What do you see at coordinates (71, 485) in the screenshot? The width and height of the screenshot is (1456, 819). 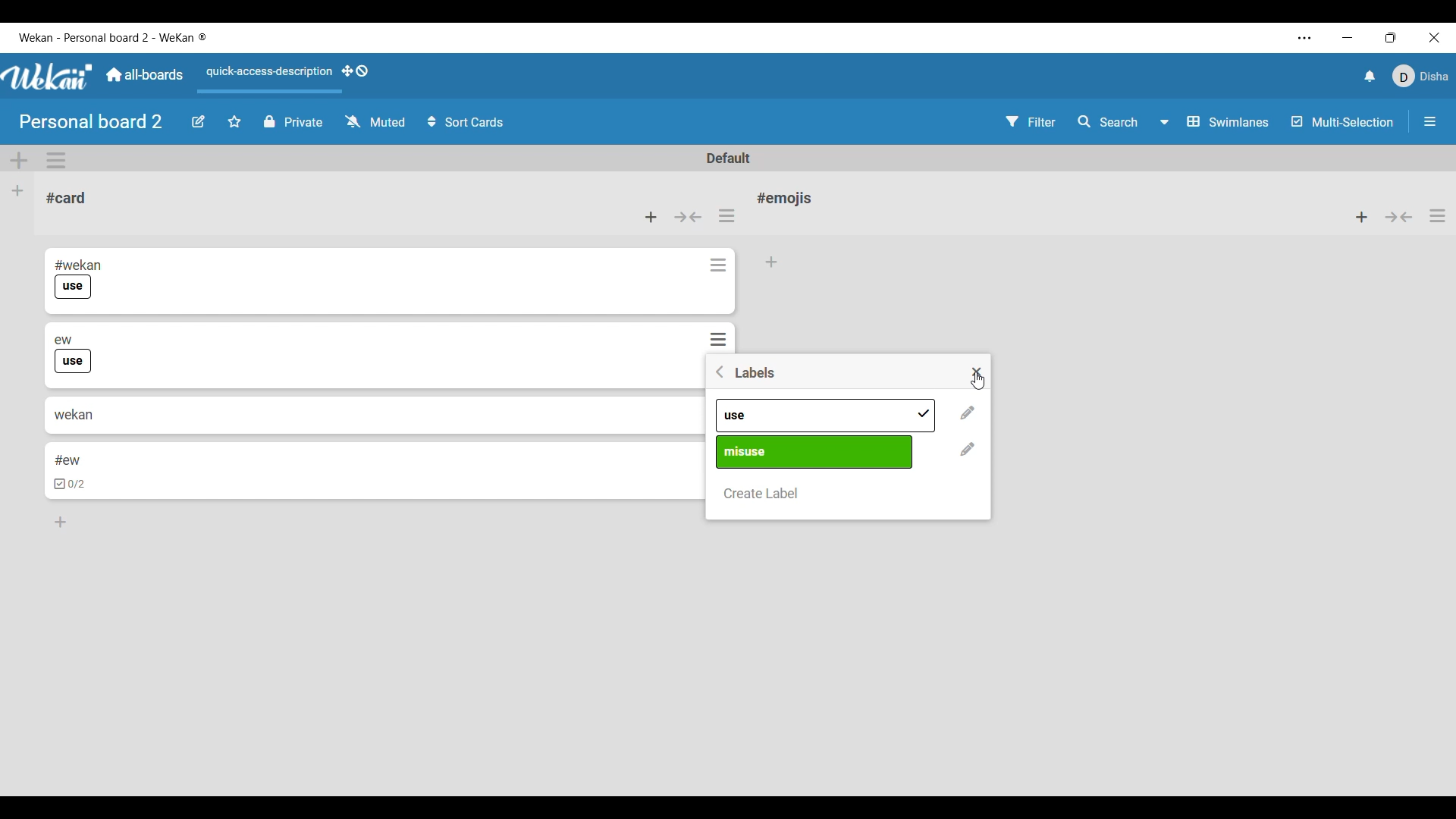 I see `checkbox ` at bounding box center [71, 485].